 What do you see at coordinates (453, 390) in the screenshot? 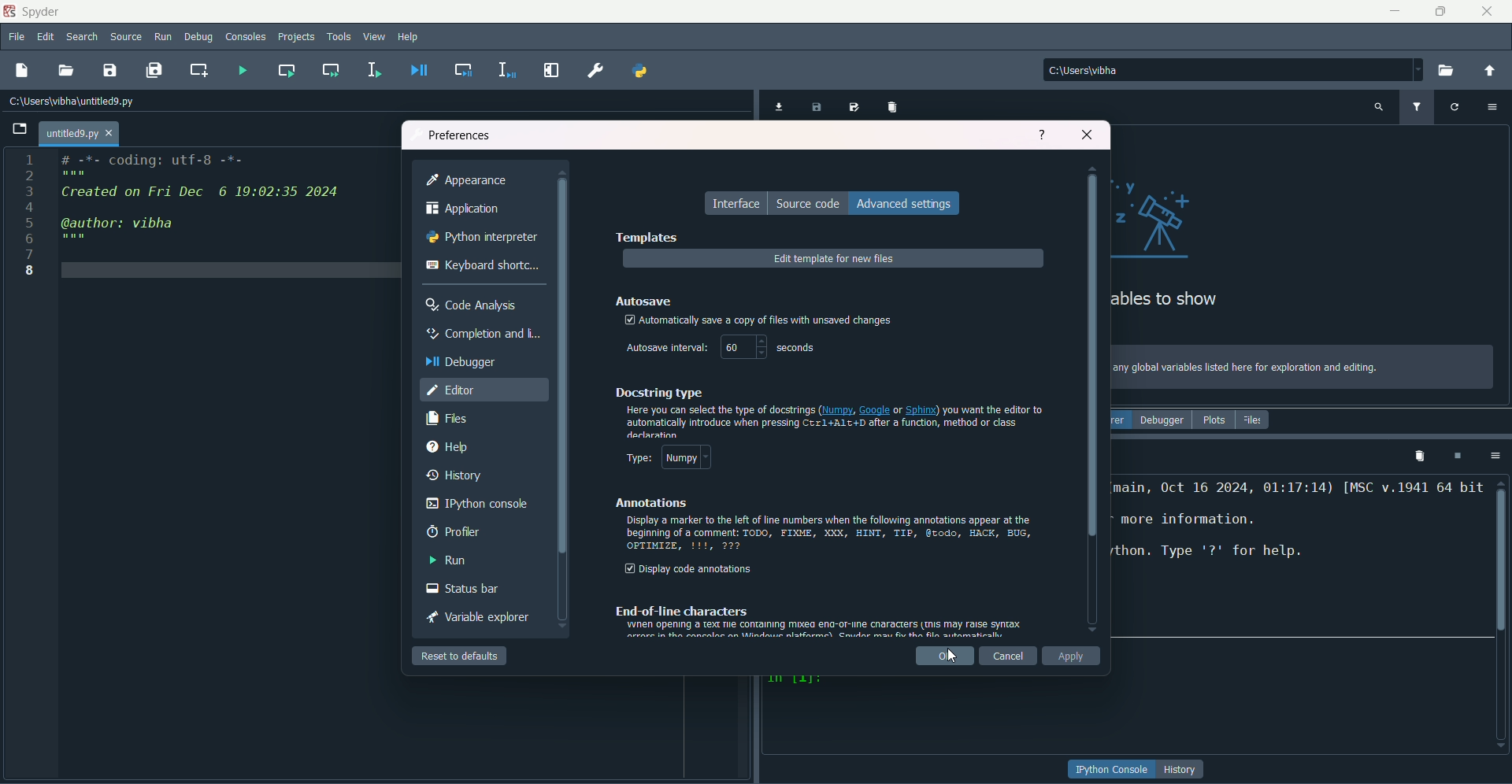
I see `editor` at bounding box center [453, 390].